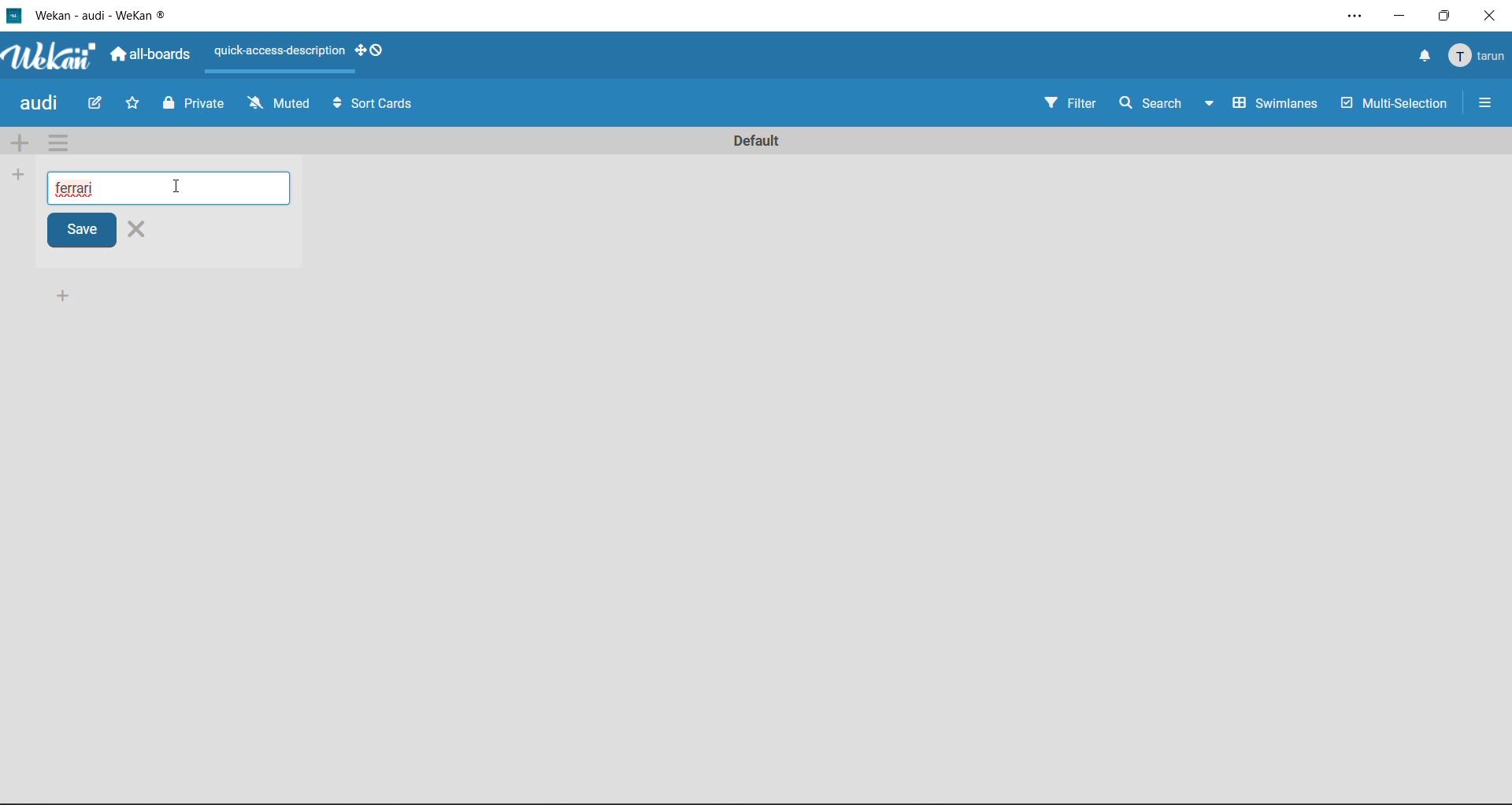  What do you see at coordinates (94, 14) in the screenshot?
I see `app title Wekan - audi -WeKan` at bounding box center [94, 14].